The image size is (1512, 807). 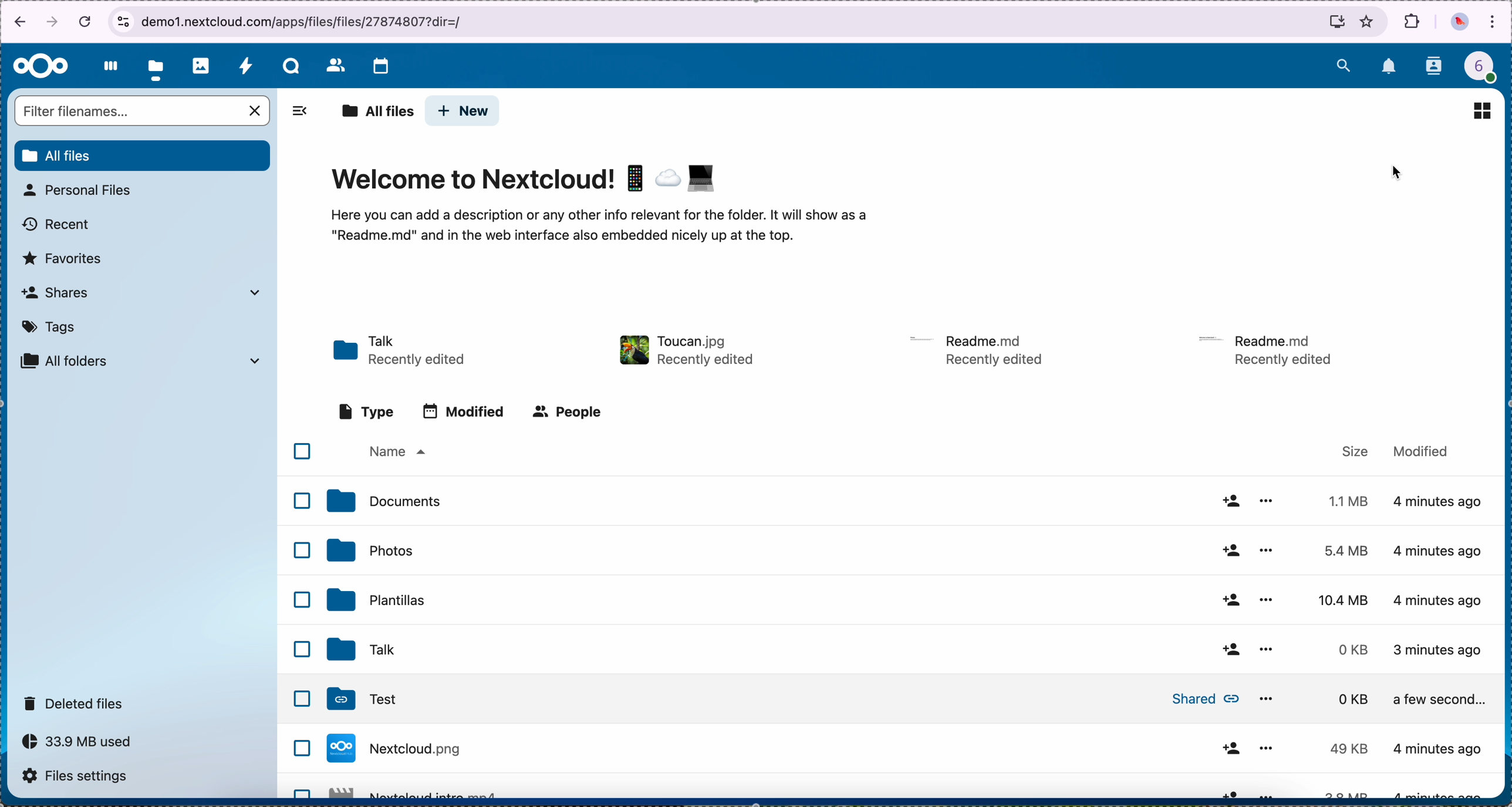 I want to click on activity, so click(x=245, y=65).